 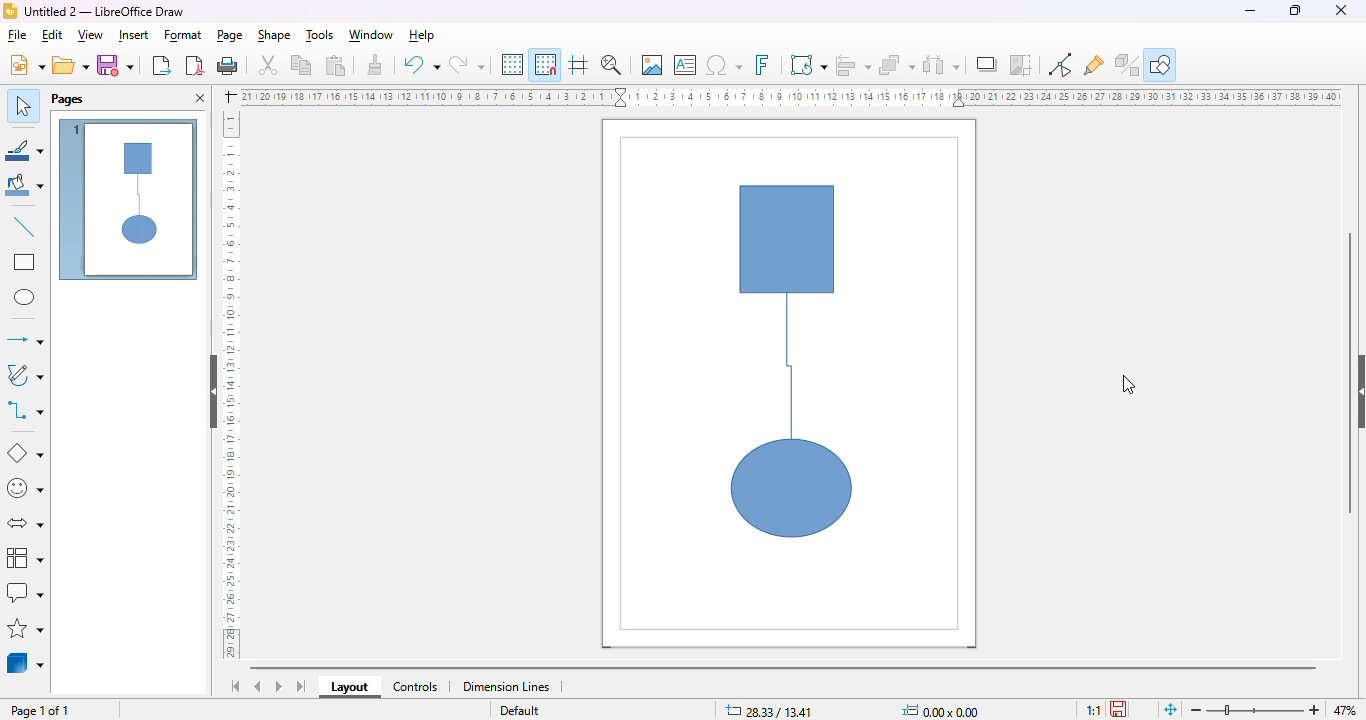 What do you see at coordinates (26, 376) in the screenshot?
I see `curves and polygons` at bounding box center [26, 376].